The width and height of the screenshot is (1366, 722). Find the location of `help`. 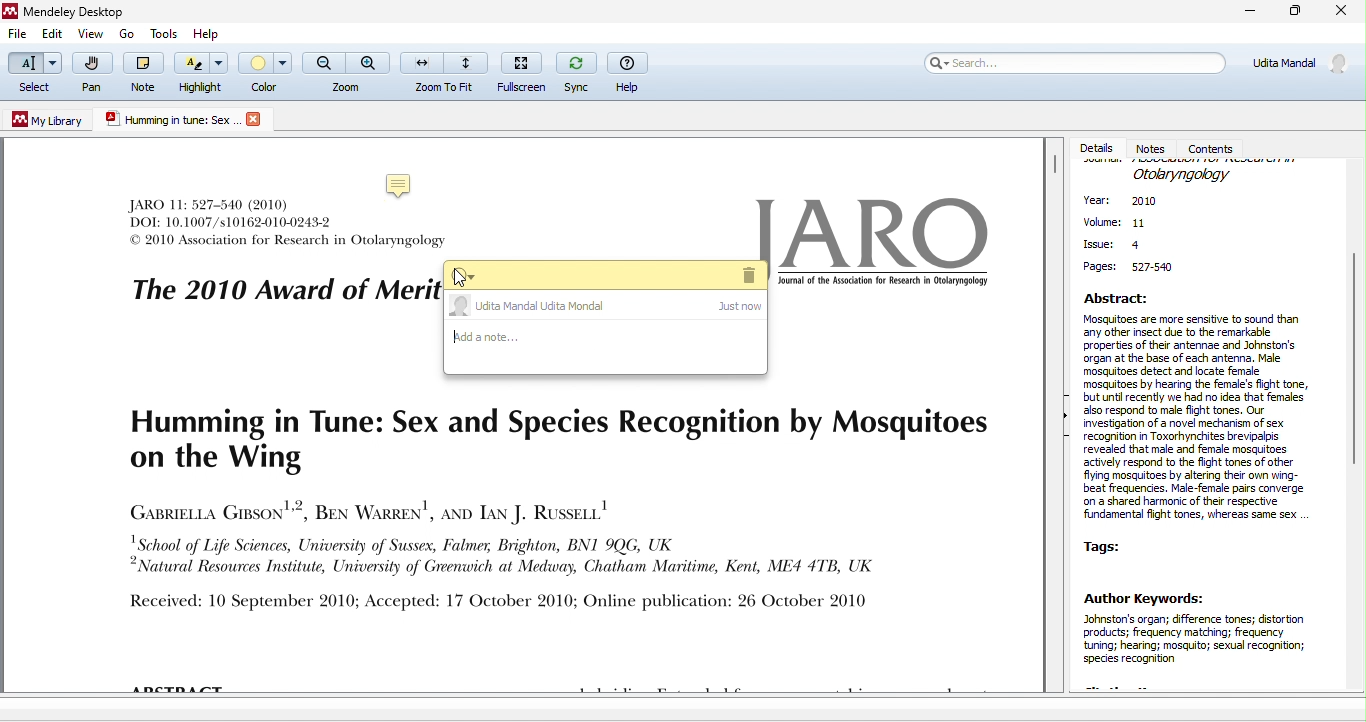

help is located at coordinates (630, 72).